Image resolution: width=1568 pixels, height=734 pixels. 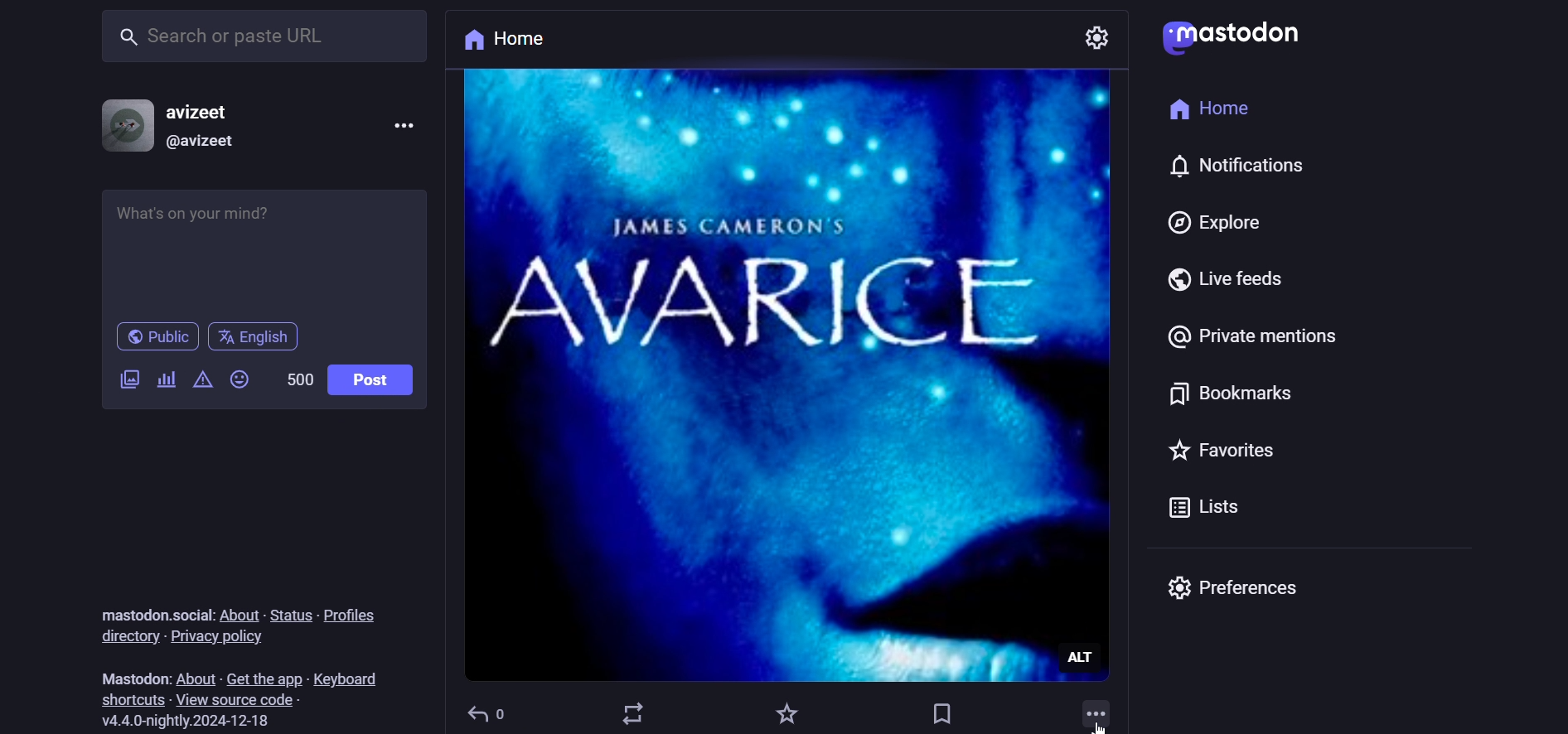 I want to click on list, so click(x=1202, y=503).